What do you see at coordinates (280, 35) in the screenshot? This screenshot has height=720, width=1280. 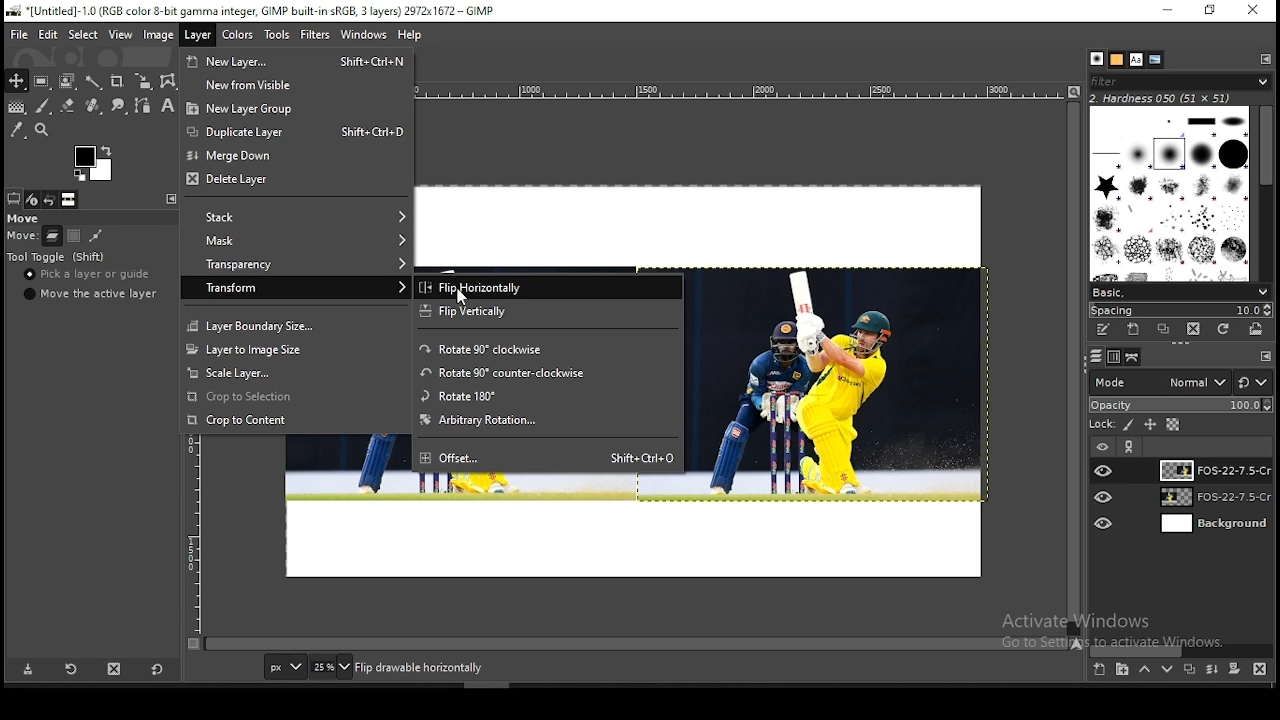 I see `tools` at bounding box center [280, 35].